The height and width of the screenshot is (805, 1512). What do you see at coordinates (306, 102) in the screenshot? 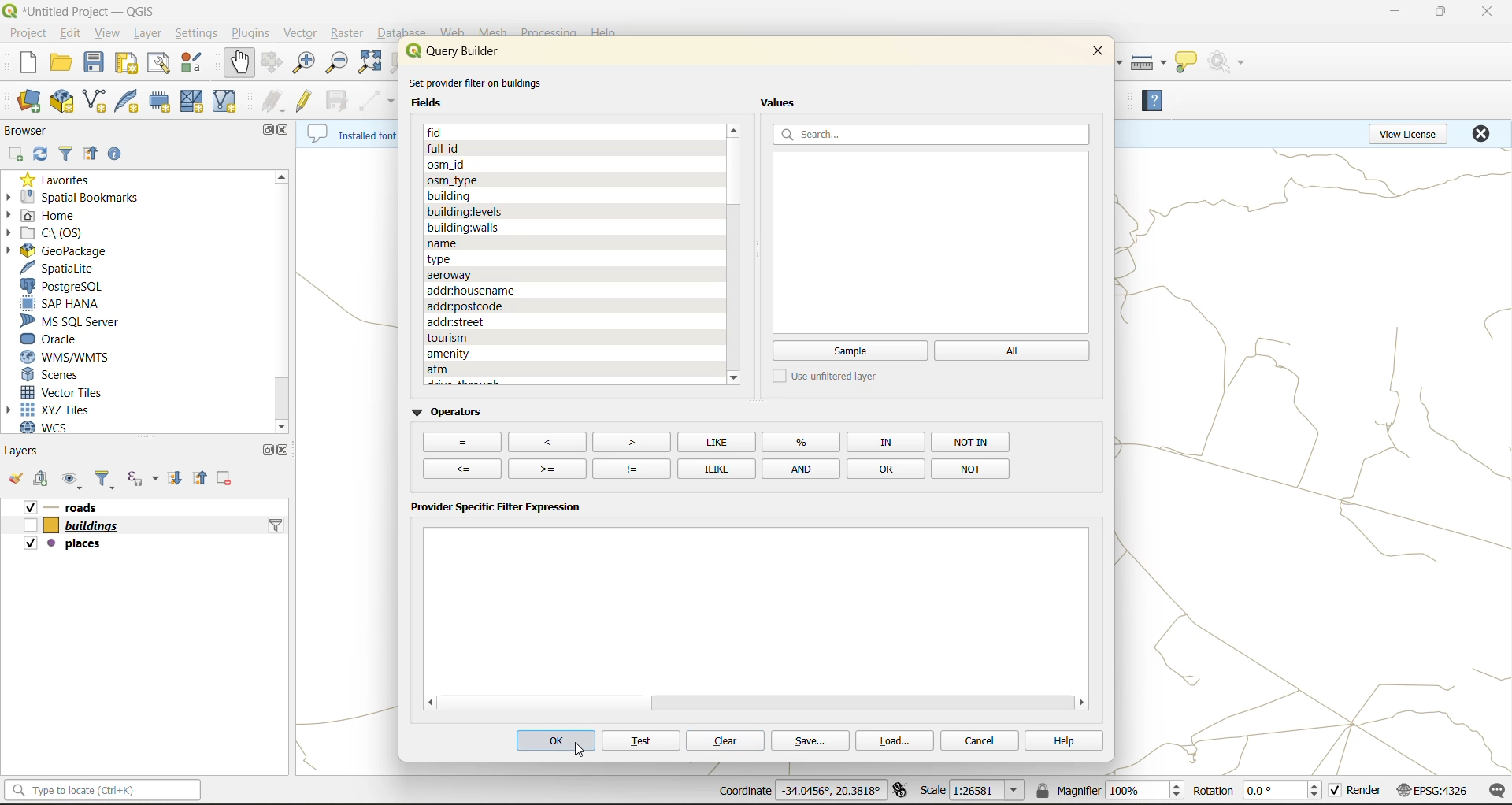
I see `toggle edits` at bounding box center [306, 102].